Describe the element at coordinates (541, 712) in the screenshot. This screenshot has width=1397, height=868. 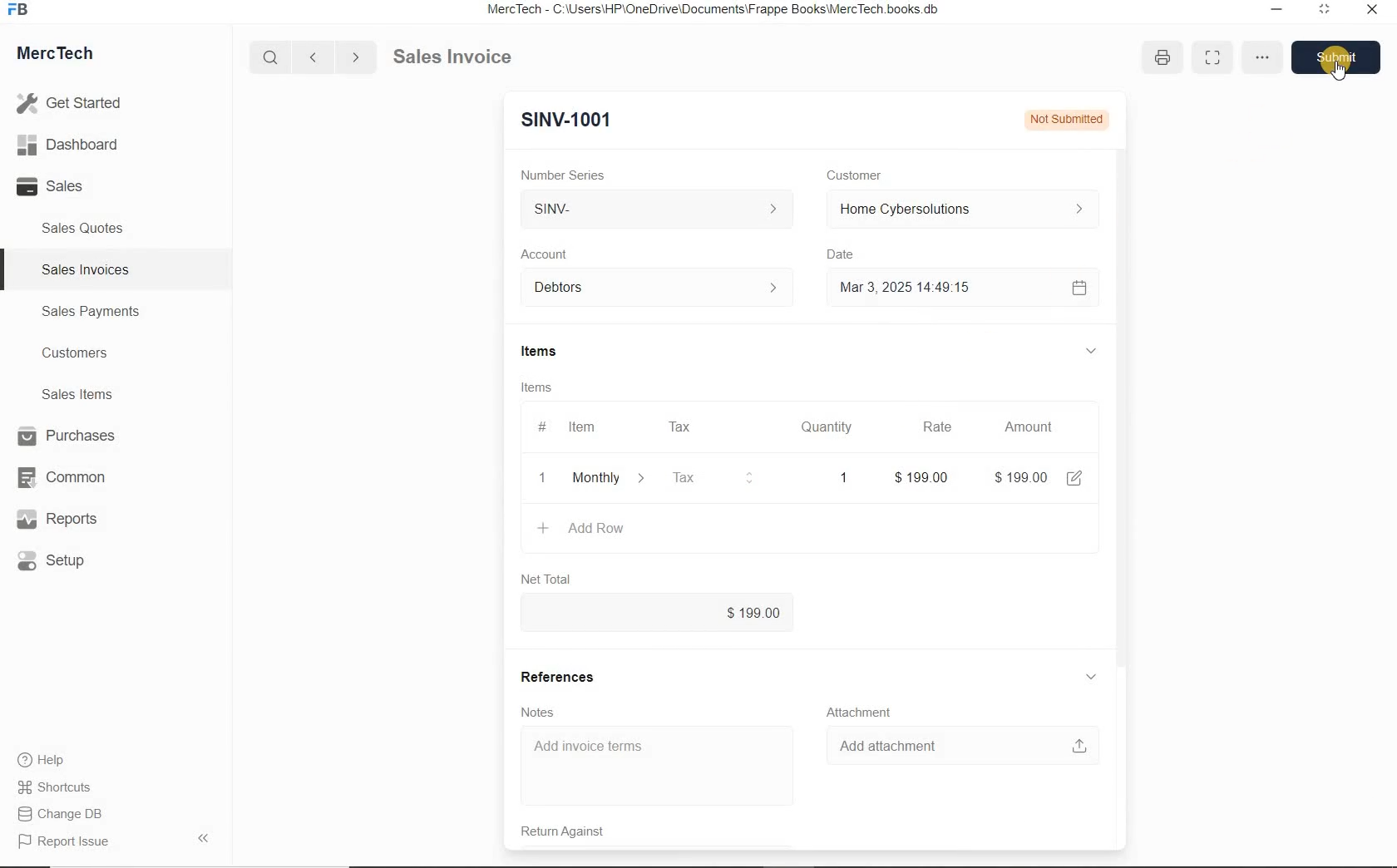
I see `Notes` at that location.